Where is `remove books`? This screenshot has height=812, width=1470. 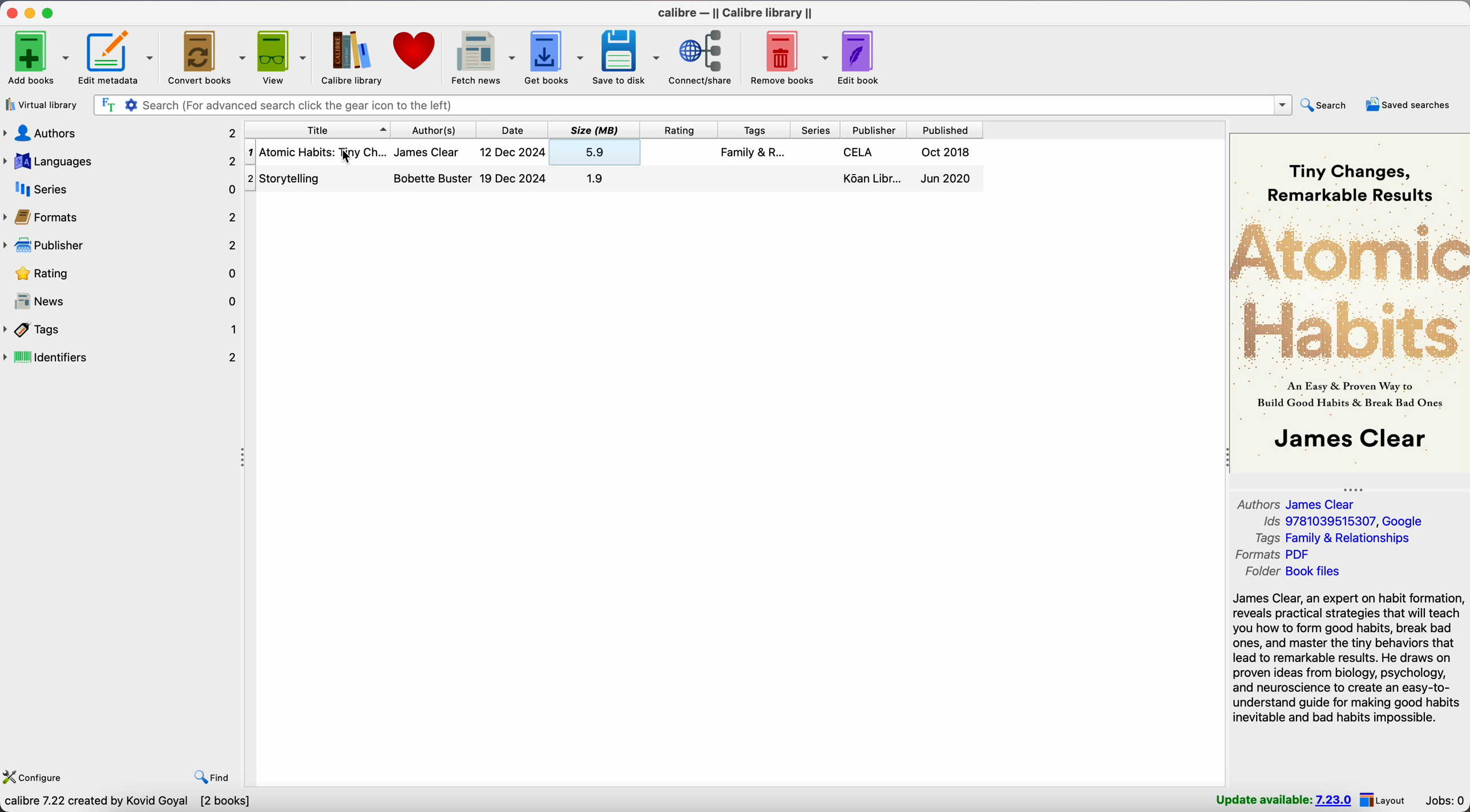 remove books is located at coordinates (788, 57).